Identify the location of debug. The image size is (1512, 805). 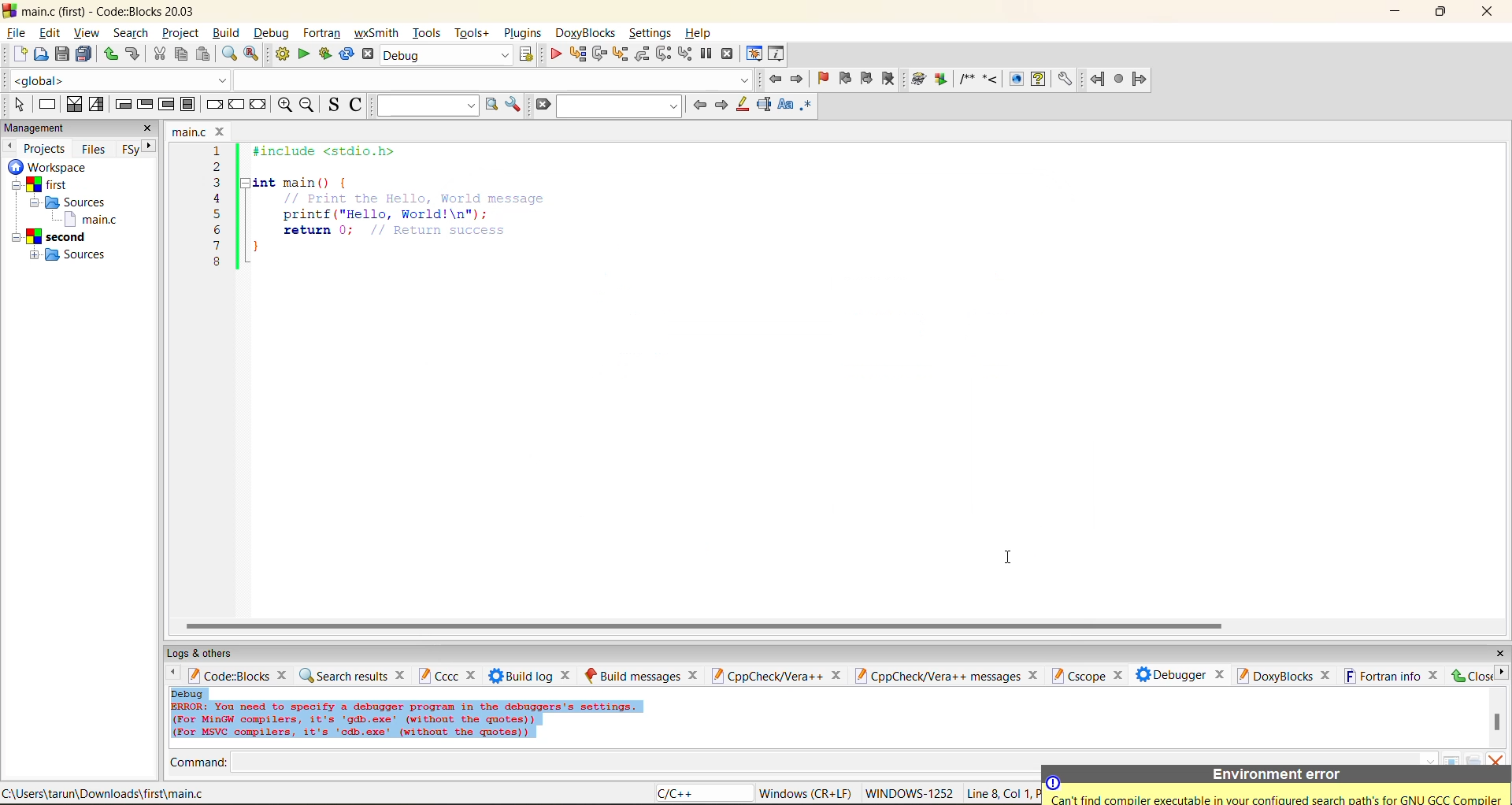
(188, 693).